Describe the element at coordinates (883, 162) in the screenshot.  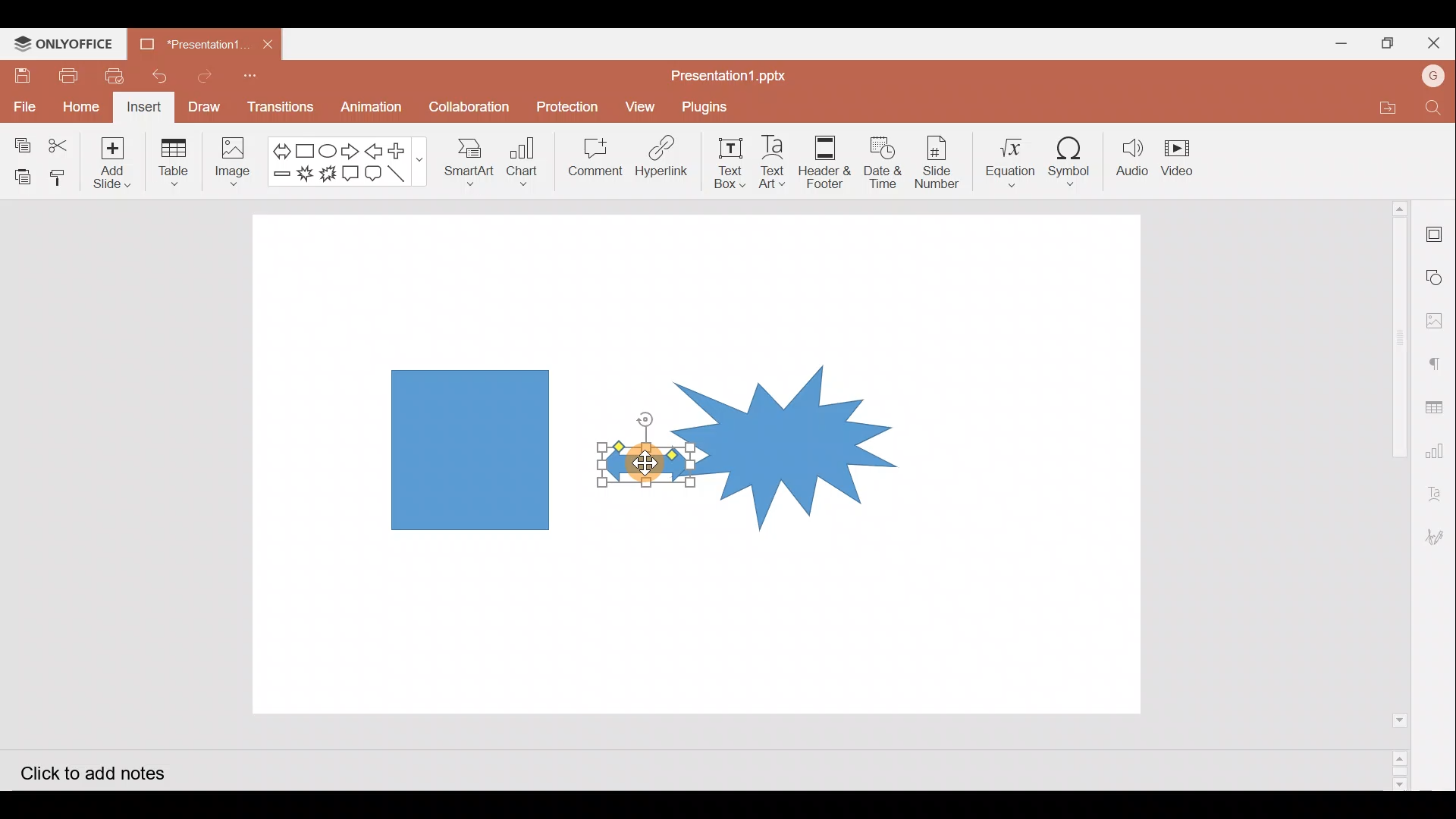
I see `Date & time` at that location.